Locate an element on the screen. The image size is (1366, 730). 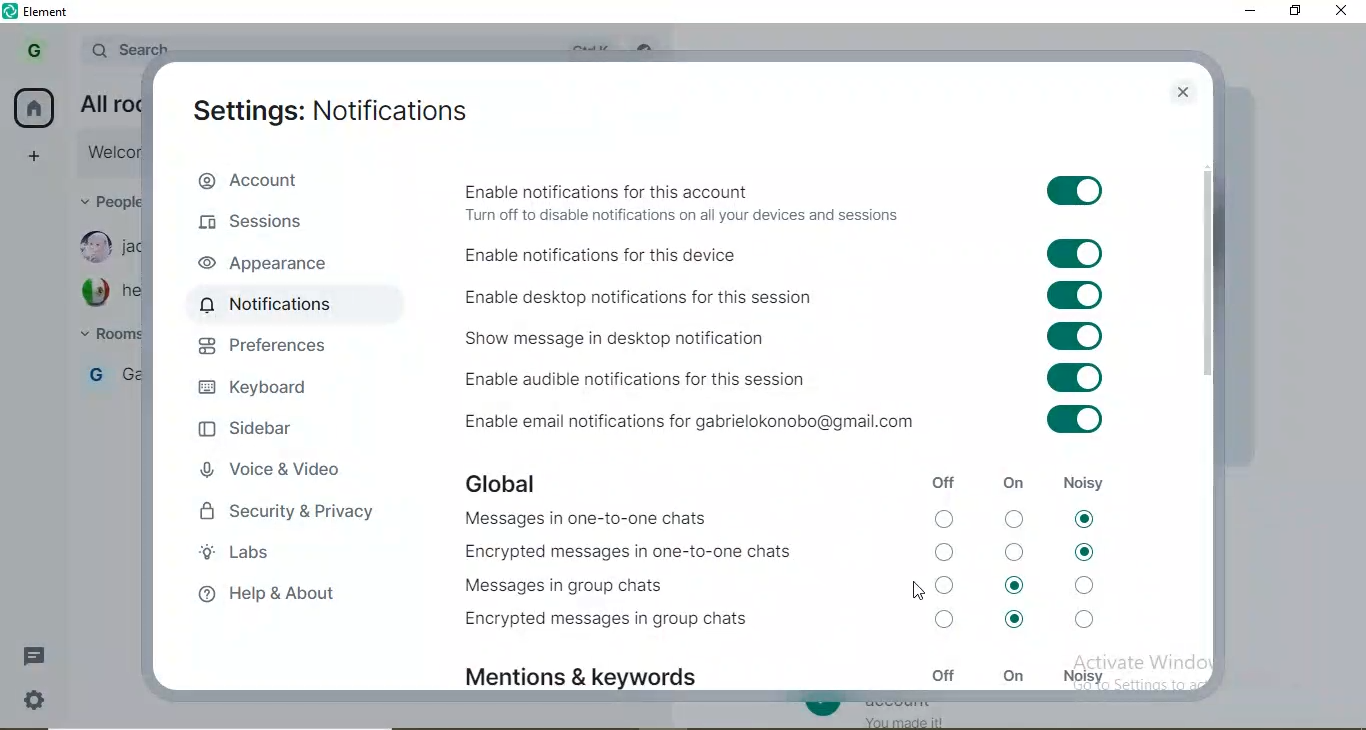
noisy is located at coordinates (1086, 476).